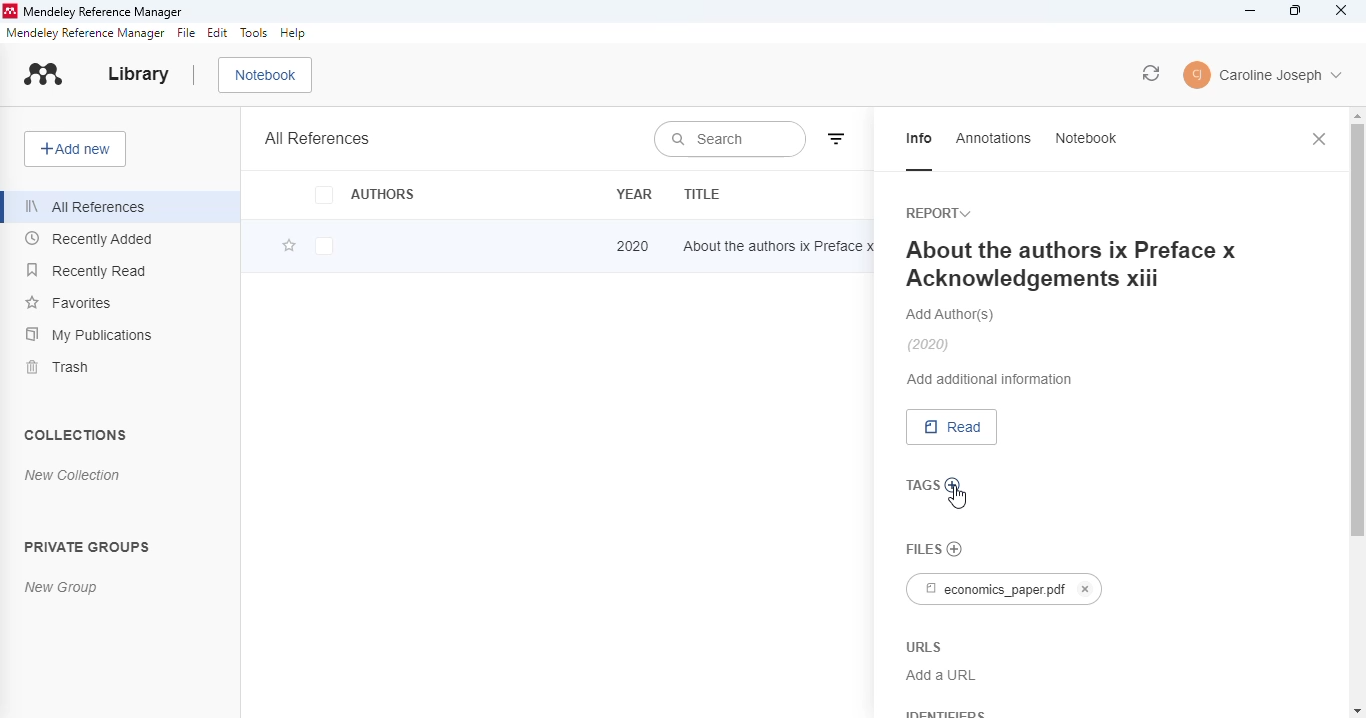  What do you see at coordinates (991, 379) in the screenshot?
I see `add additional information` at bounding box center [991, 379].